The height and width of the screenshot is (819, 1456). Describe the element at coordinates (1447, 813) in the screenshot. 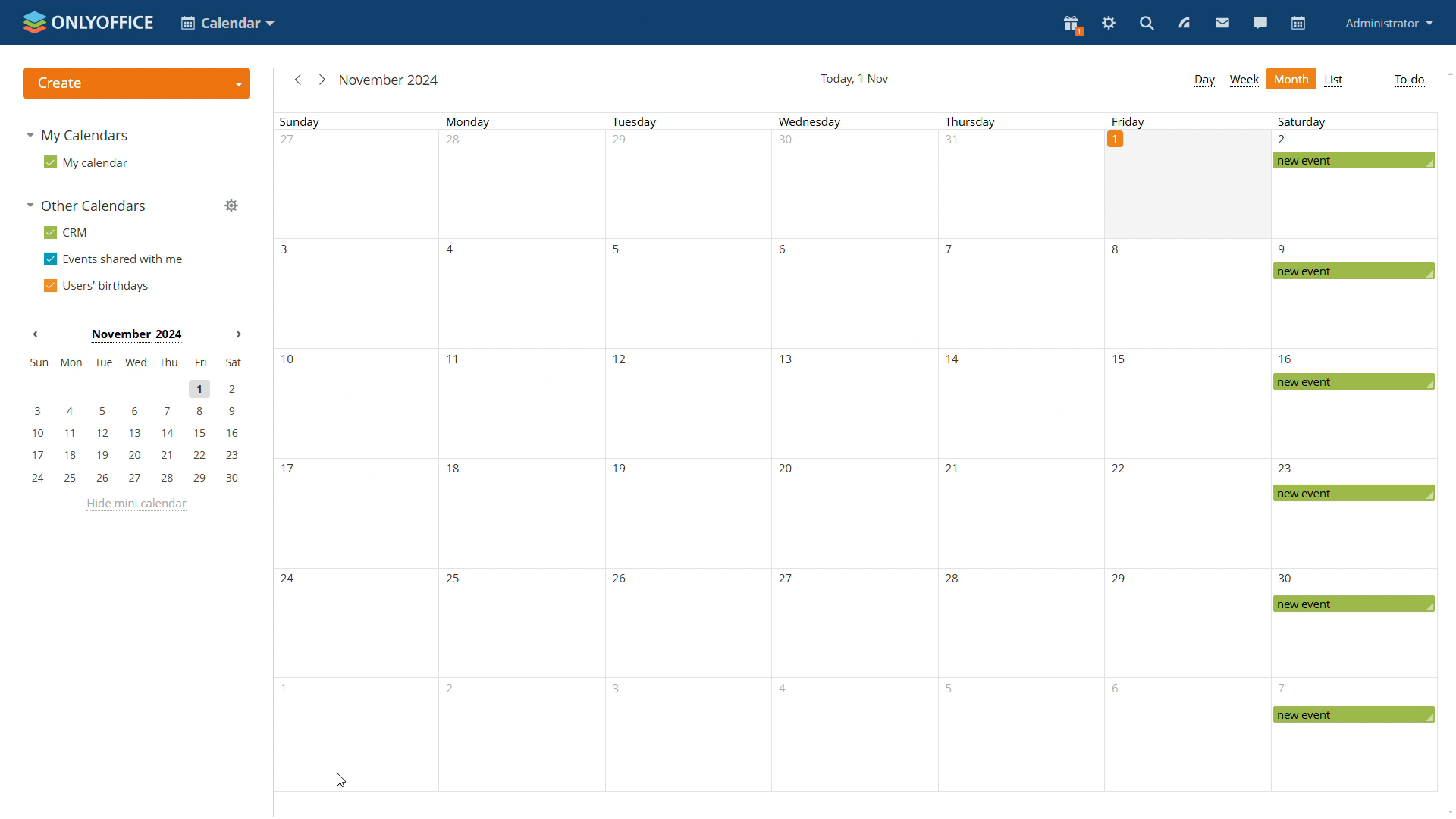

I see `scroll down` at that location.